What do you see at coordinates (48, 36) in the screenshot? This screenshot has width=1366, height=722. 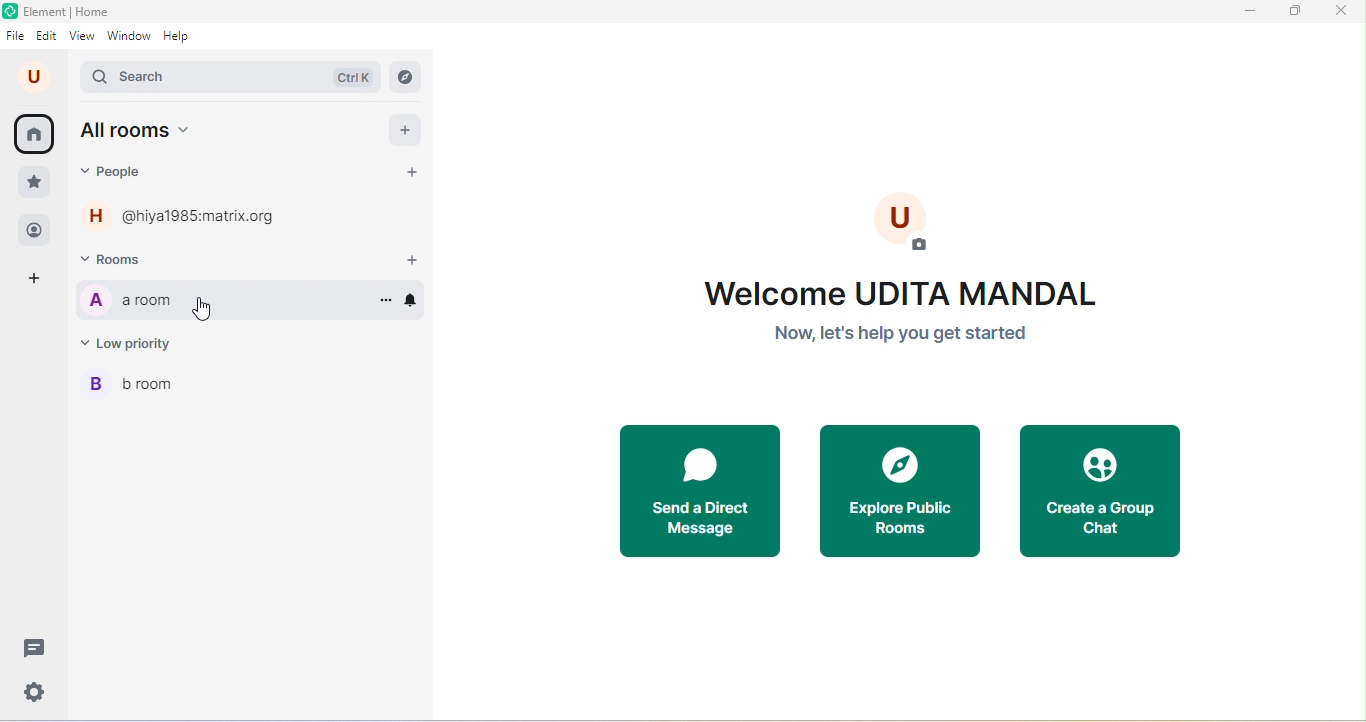 I see `edit` at bounding box center [48, 36].